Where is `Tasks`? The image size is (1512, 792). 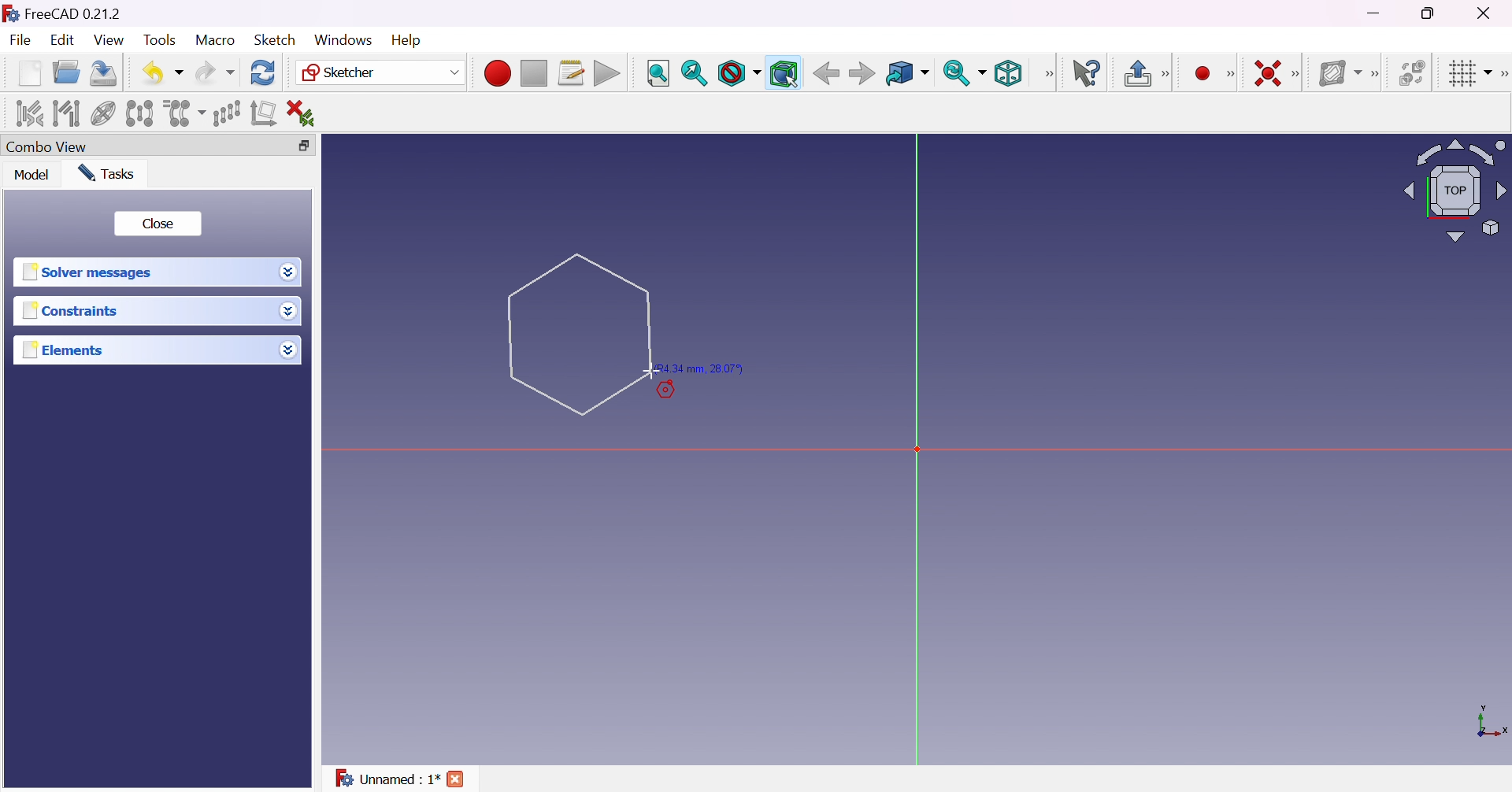 Tasks is located at coordinates (109, 174).